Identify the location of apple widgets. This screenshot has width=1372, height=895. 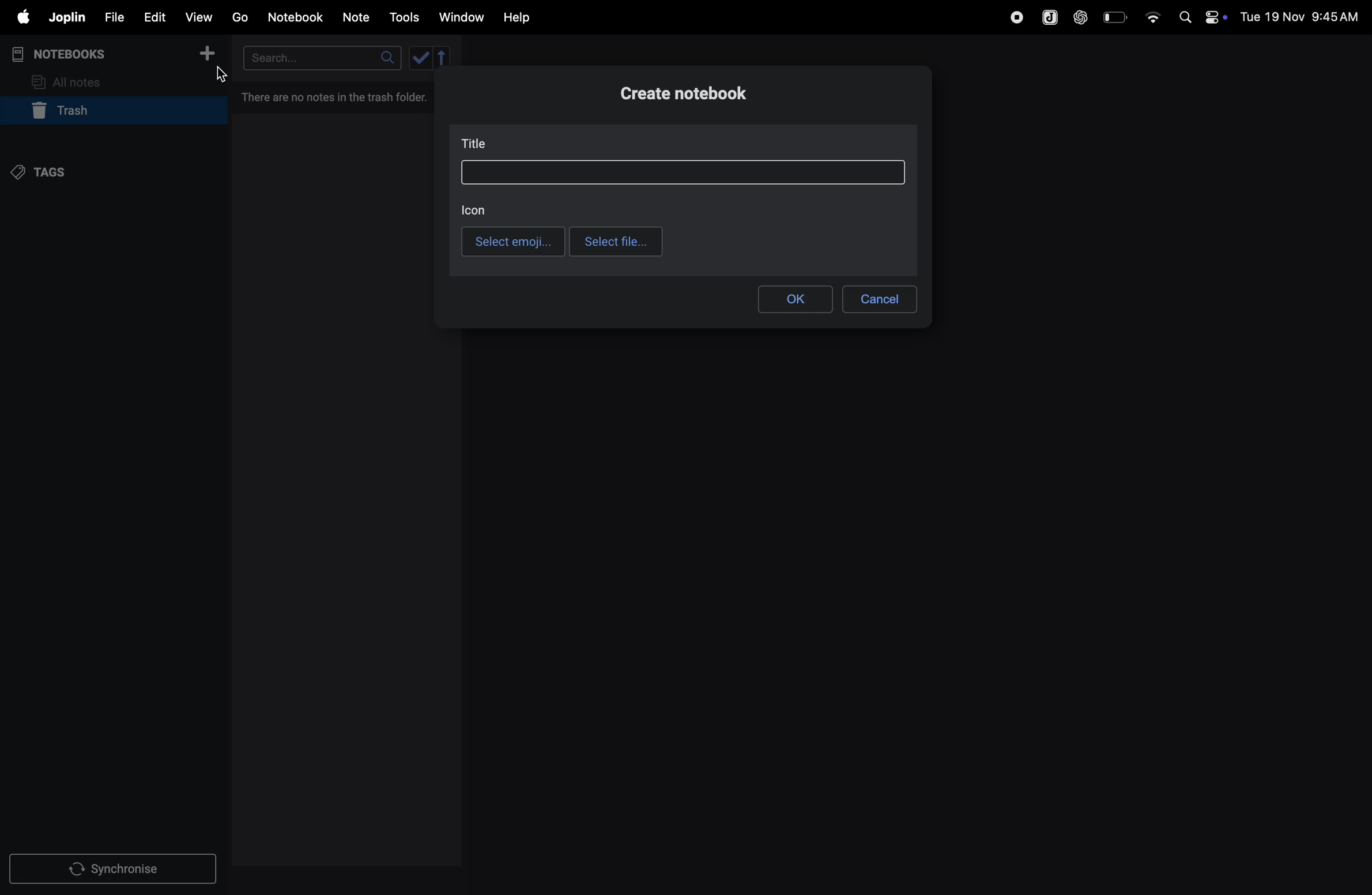
(1200, 16).